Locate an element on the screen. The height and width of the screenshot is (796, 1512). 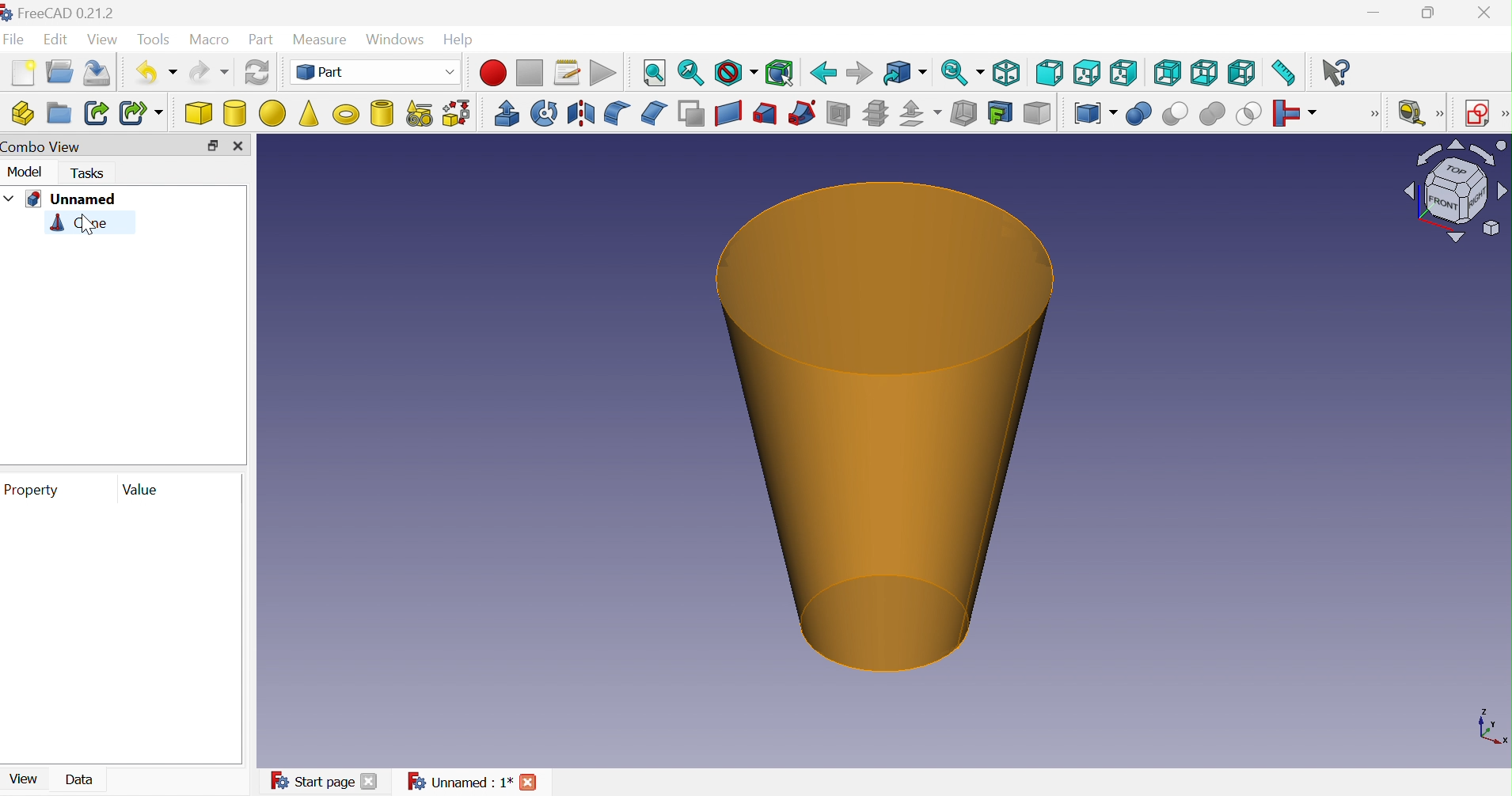
Unnamed is located at coordinates (72, 199).